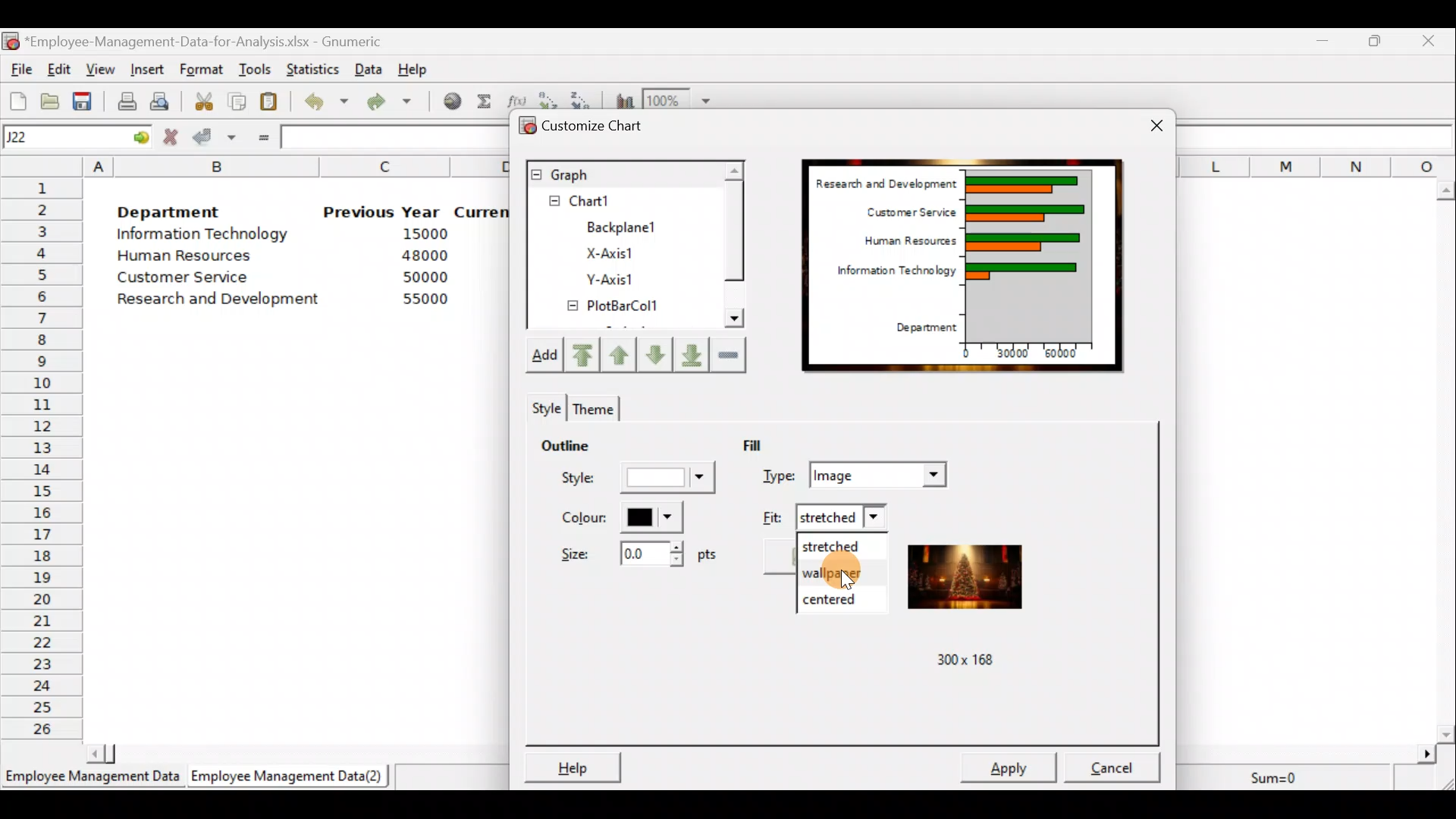  I want to click on Edit a function in the current cell, so click(517, 99).